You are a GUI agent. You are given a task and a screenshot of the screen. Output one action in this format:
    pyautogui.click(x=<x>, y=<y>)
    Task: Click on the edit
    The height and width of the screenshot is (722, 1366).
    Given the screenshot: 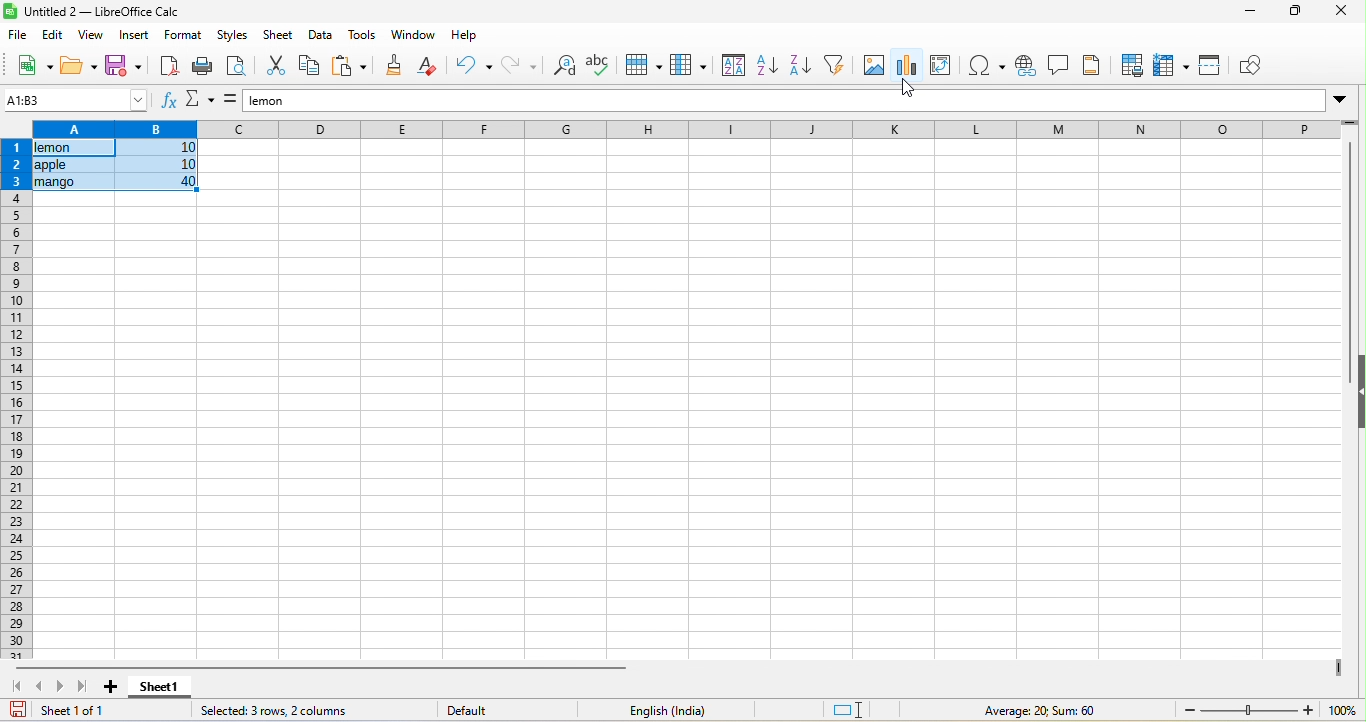 What is the action you would take?
    pyautogui.click(x=52, y=37)
    